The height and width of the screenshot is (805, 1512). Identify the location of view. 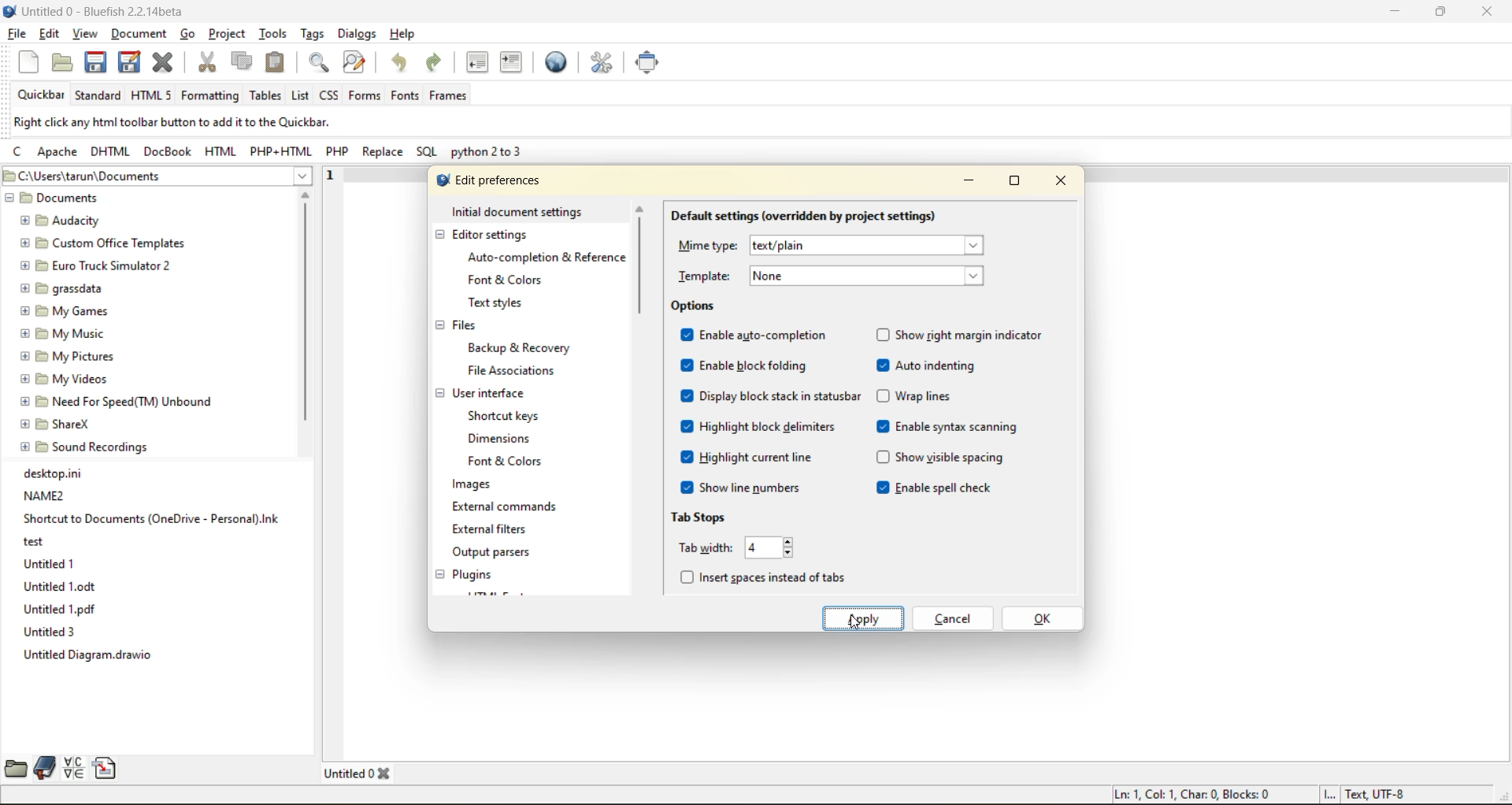
(85, 35).